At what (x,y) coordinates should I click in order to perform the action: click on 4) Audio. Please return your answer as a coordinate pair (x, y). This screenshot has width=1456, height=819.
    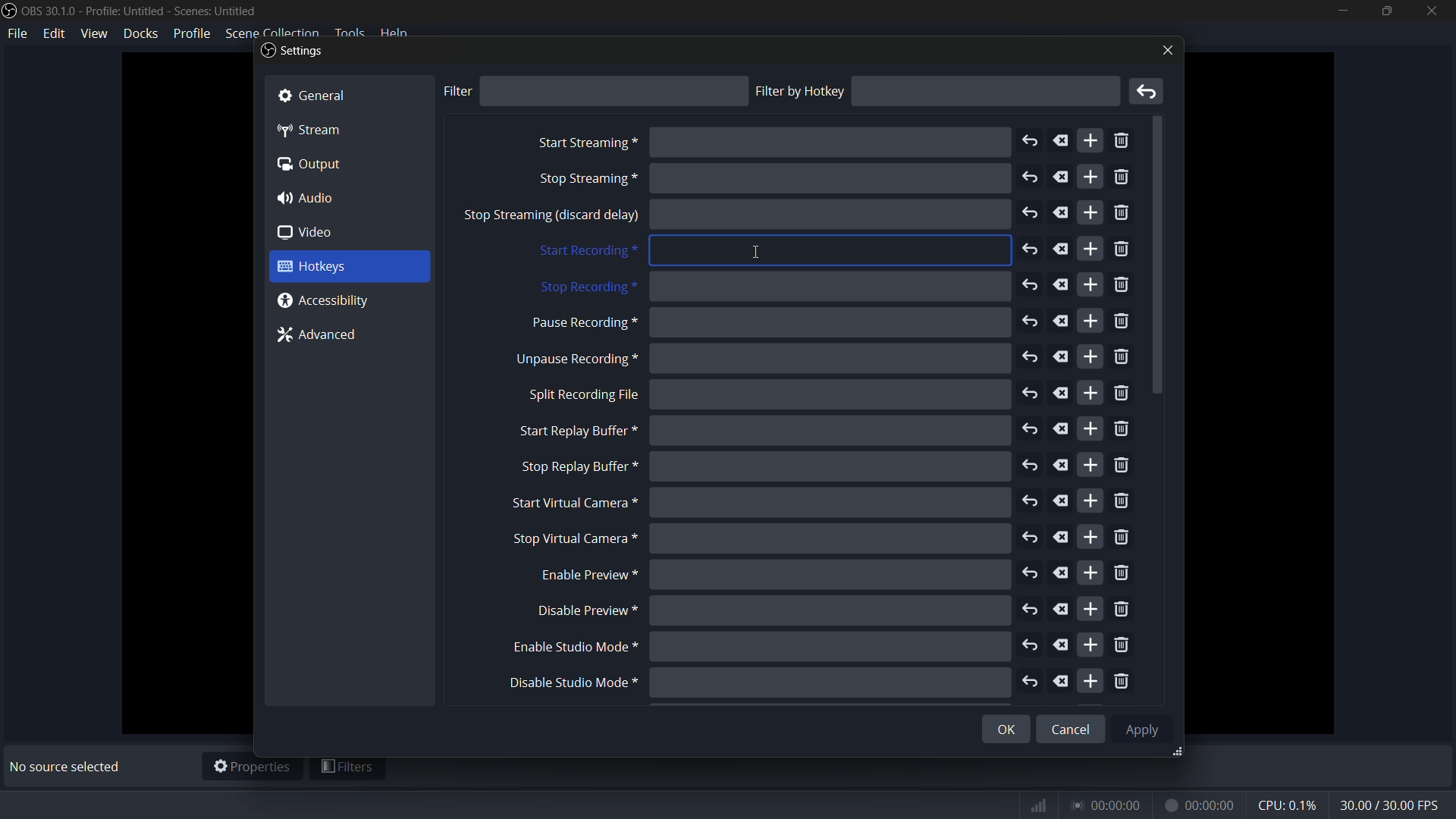
    Looking at the image, I should click on (315, 198).